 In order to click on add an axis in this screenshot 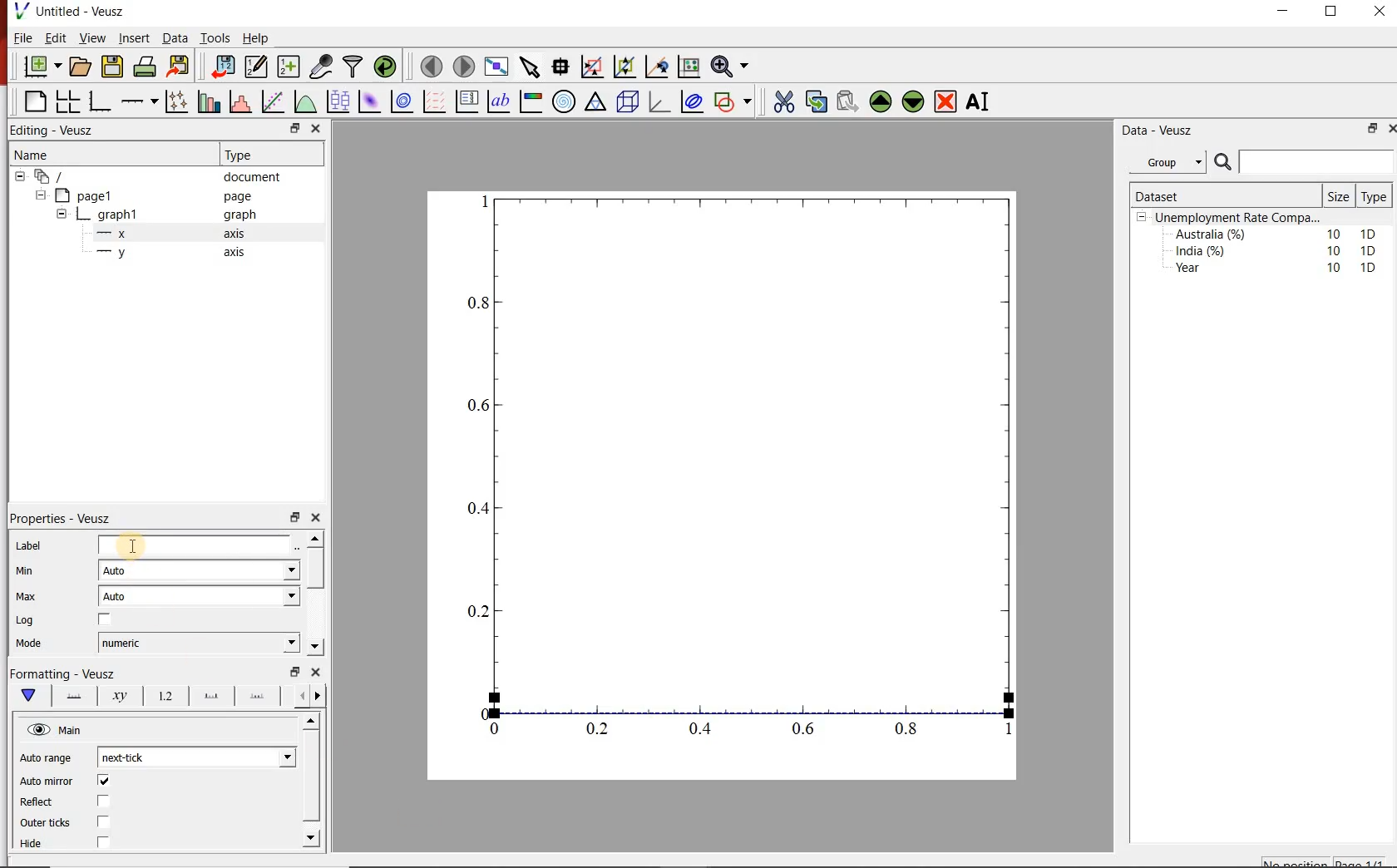, I will do `click(138, 101)`.